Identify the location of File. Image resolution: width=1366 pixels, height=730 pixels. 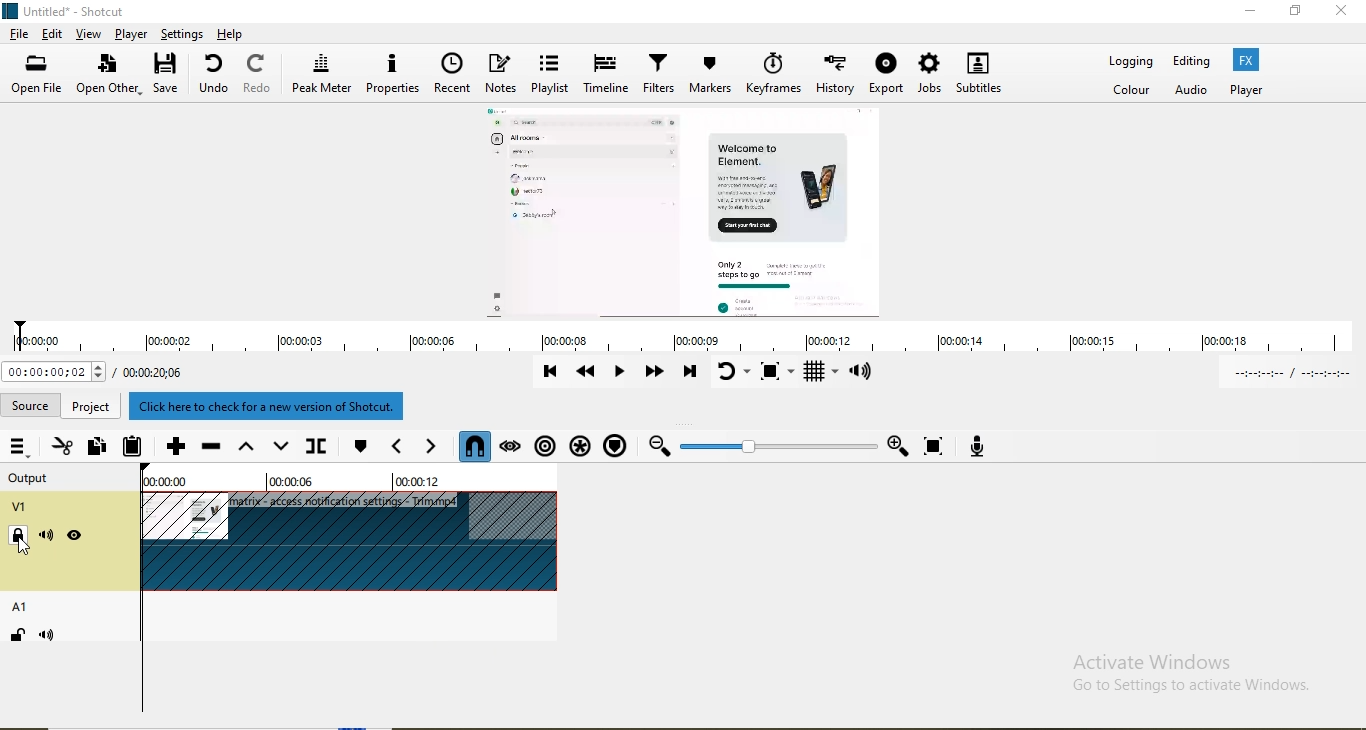
(21, 33).